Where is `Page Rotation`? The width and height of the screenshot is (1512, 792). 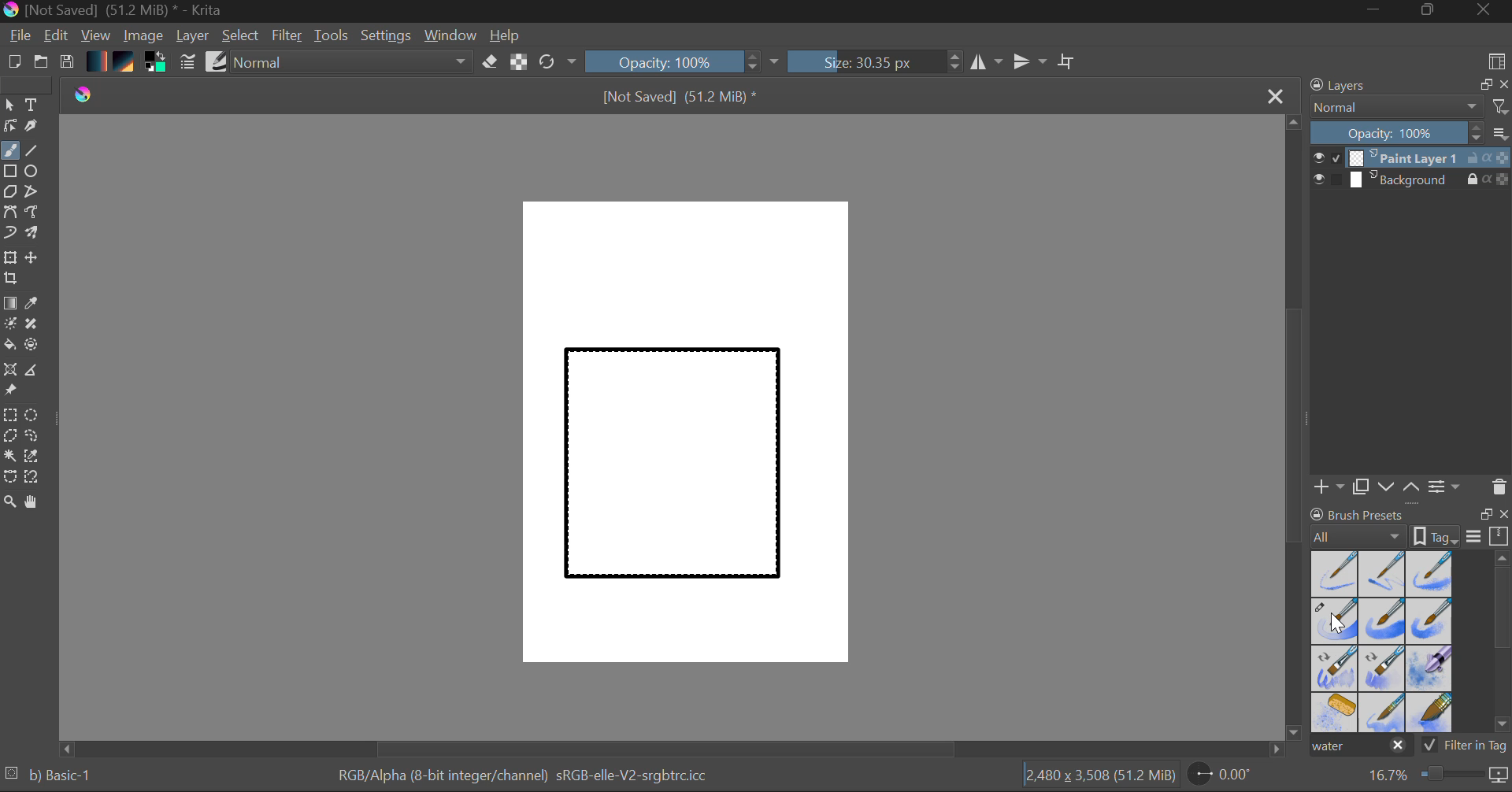 Page Rotation is located at coordinates (1228, 777).